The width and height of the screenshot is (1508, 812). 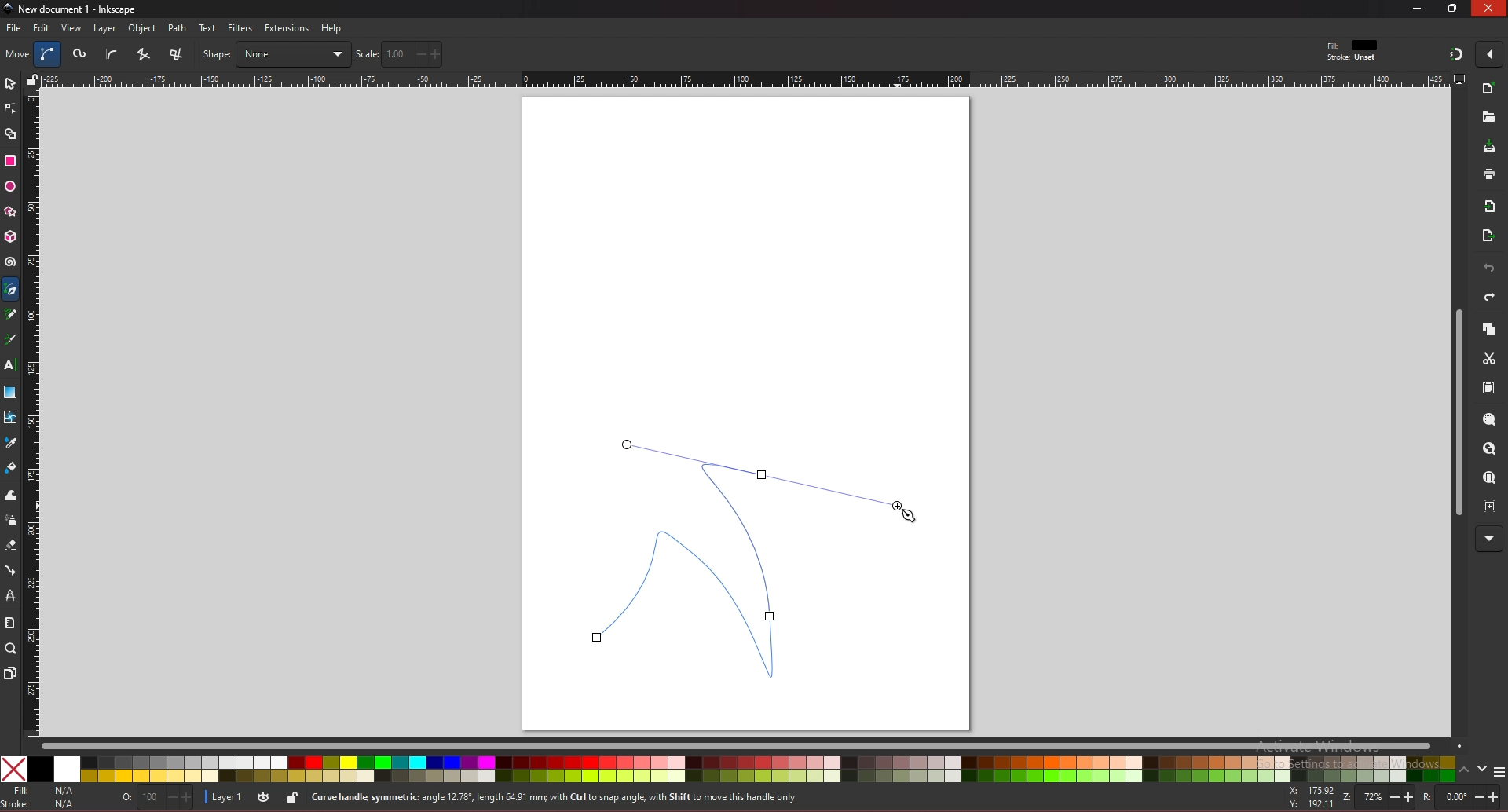 I want to click on file, so click(x=13, y=28).